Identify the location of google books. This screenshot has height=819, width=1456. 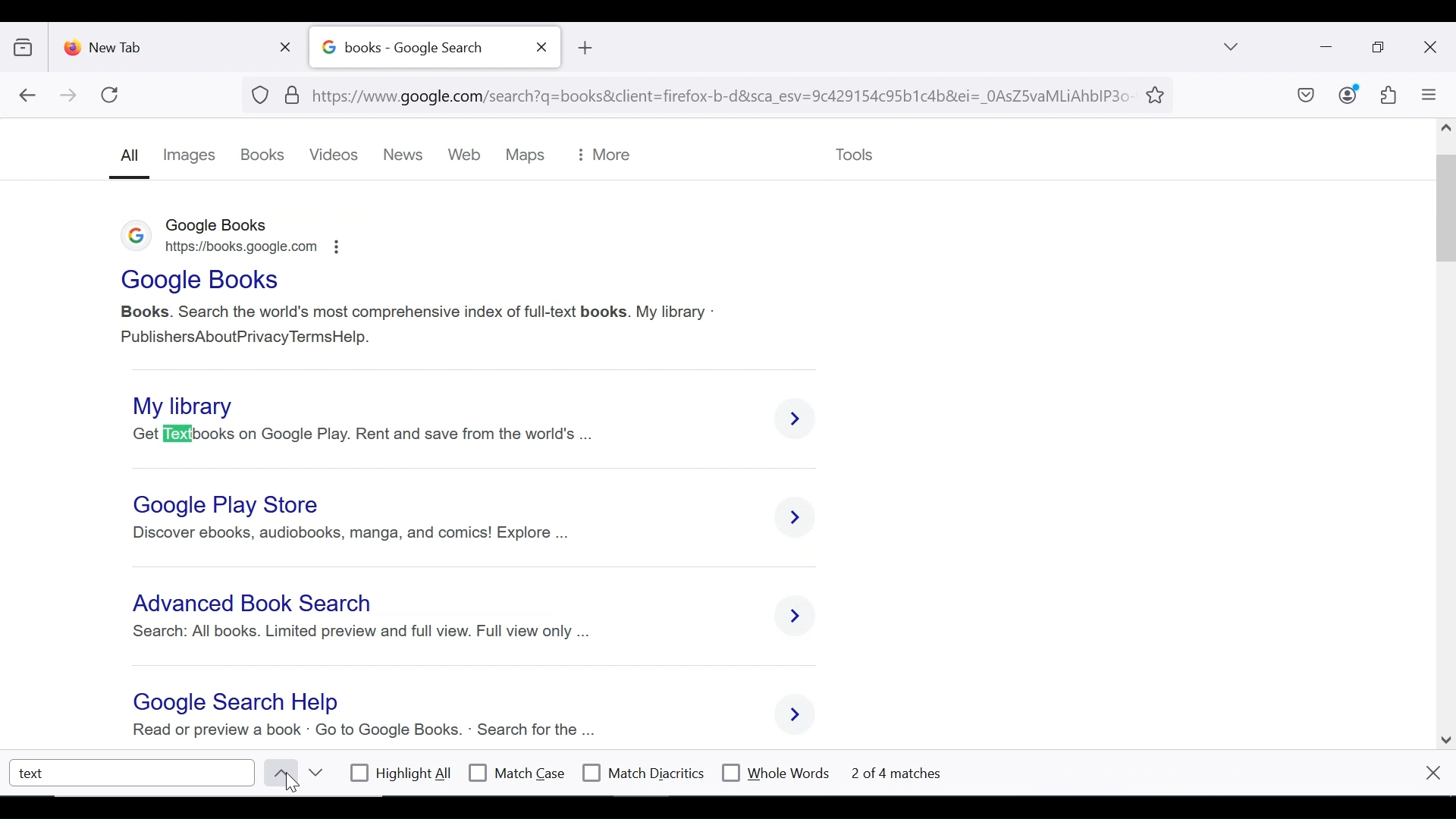
(219, 226).